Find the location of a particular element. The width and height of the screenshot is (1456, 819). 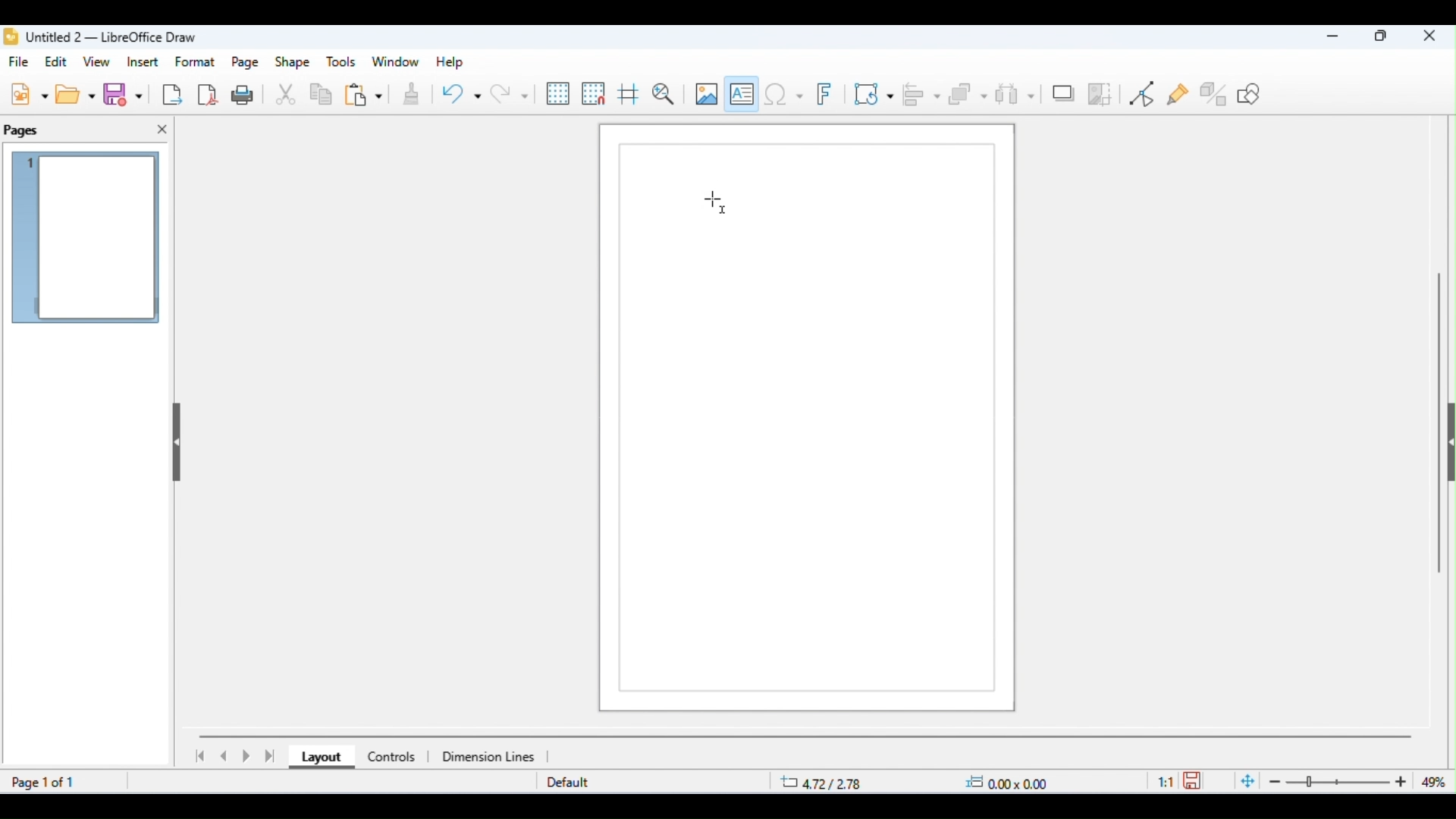

cursor is located at coordinates (716, 202).